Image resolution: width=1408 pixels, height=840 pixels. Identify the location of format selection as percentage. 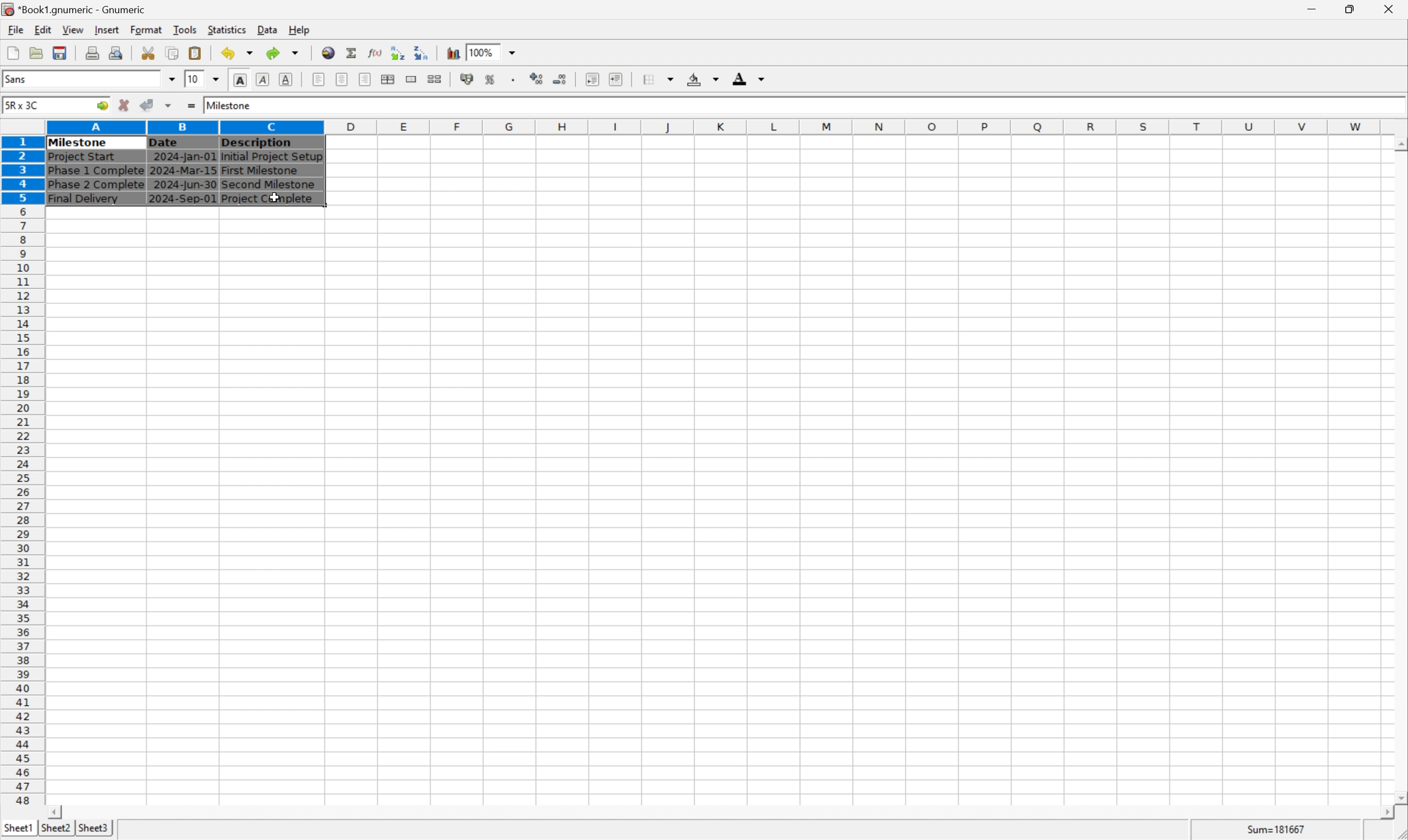
(491, 79).